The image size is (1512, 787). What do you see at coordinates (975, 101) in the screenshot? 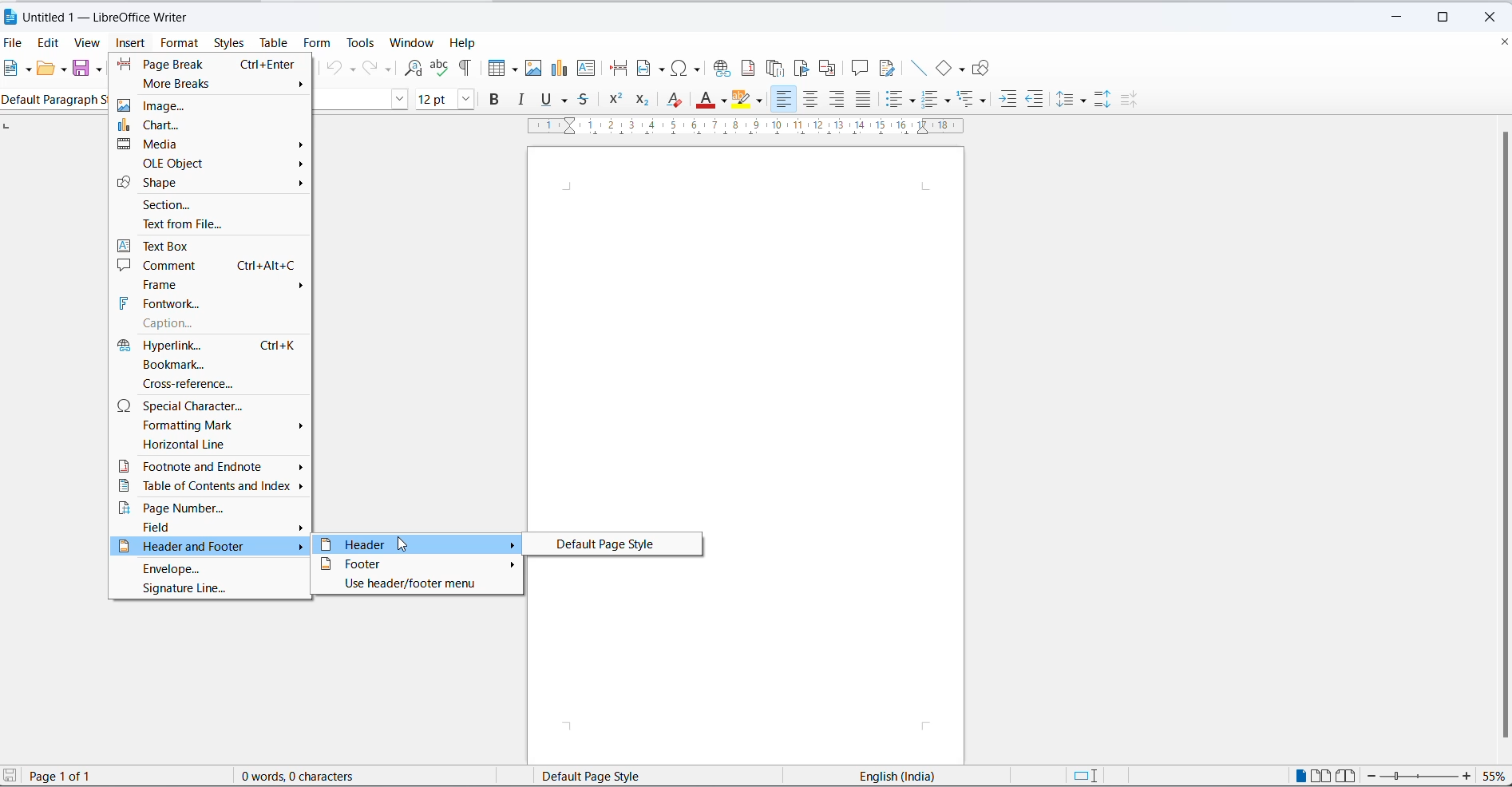
I see `select outline format` at bounding box center [975, 101].